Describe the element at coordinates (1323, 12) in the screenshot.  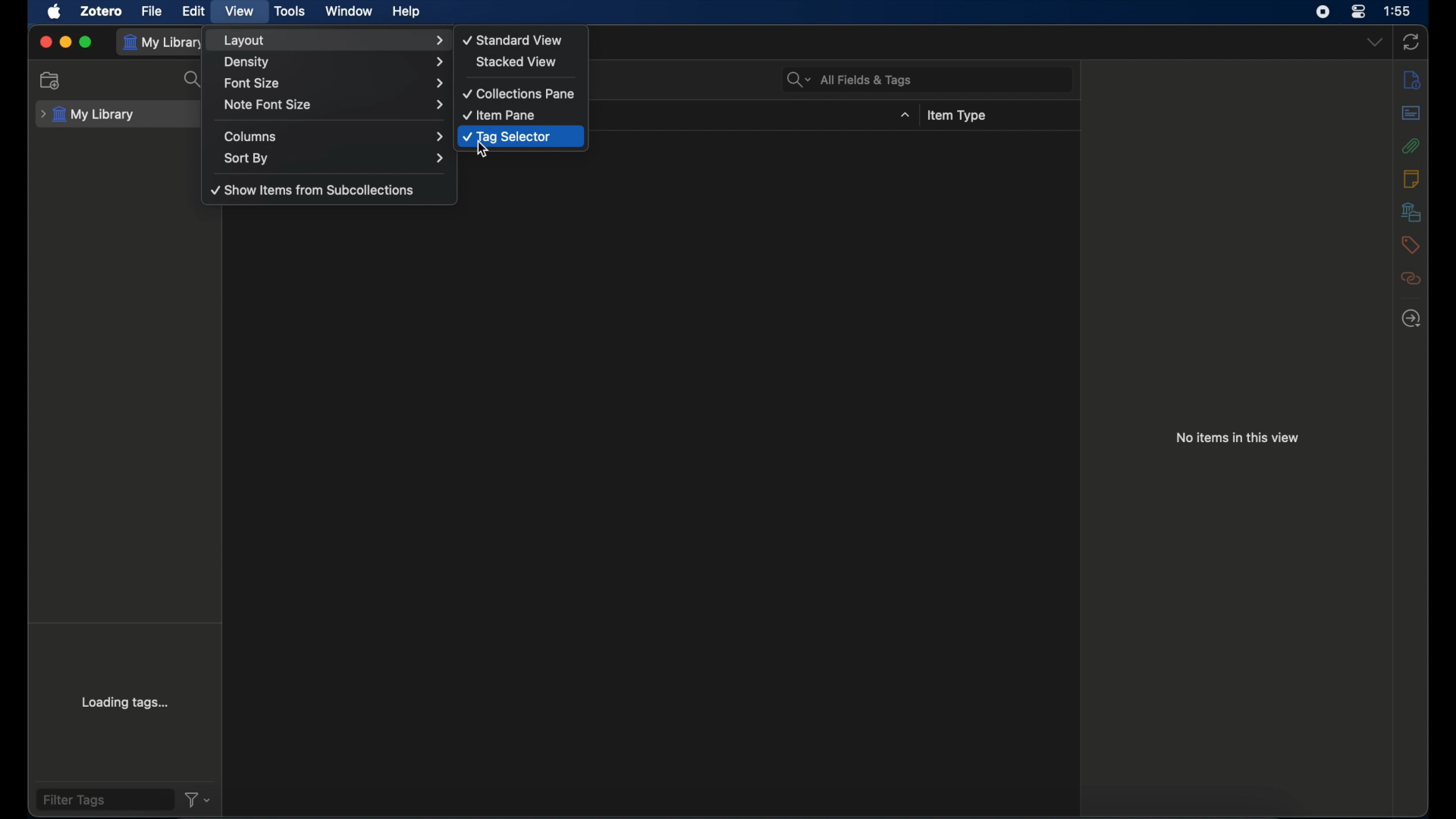
I see `screen recorder` at that location.